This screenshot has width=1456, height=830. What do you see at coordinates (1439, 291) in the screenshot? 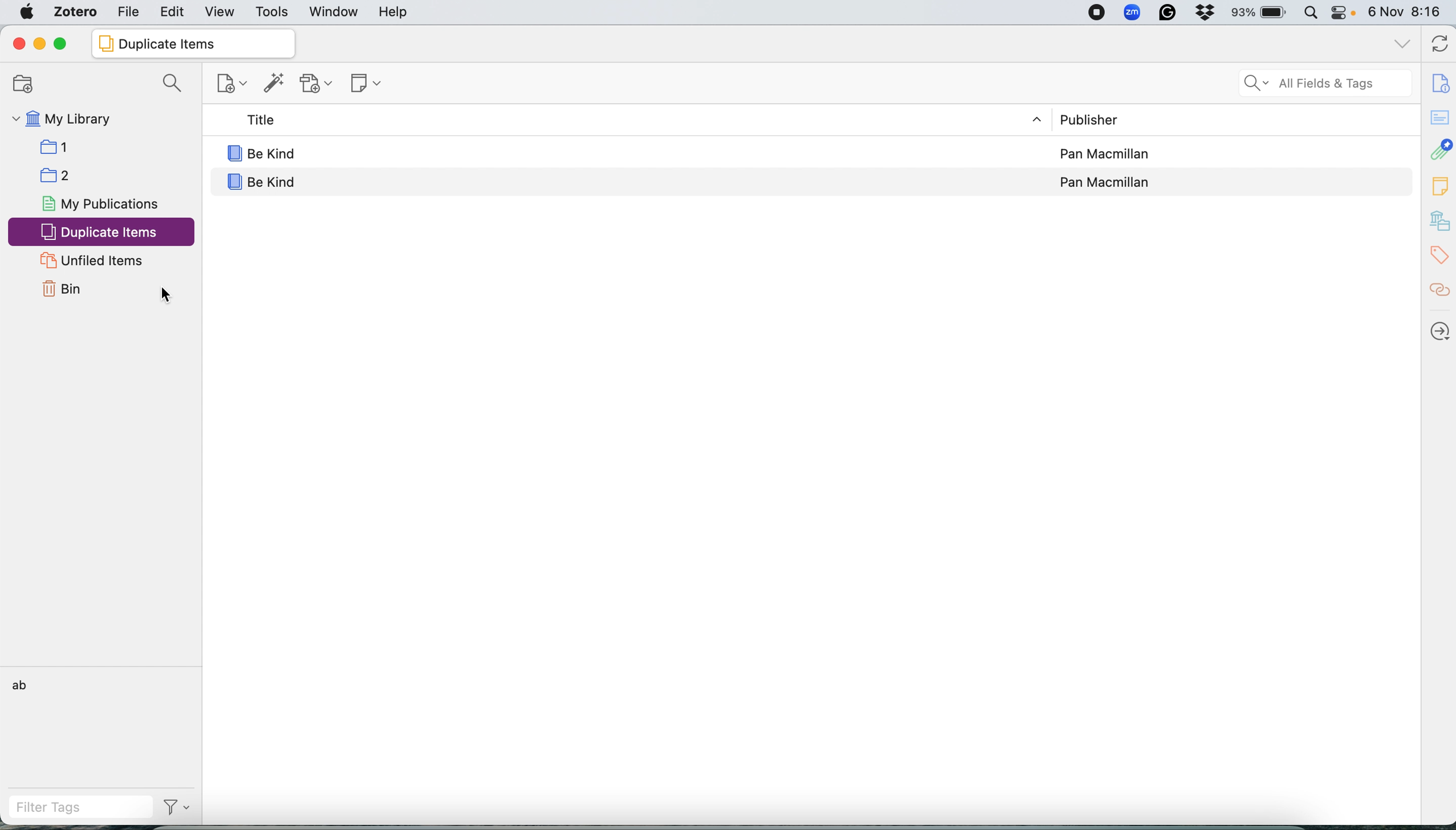
I see `related` at bounding box center [1439, 291].